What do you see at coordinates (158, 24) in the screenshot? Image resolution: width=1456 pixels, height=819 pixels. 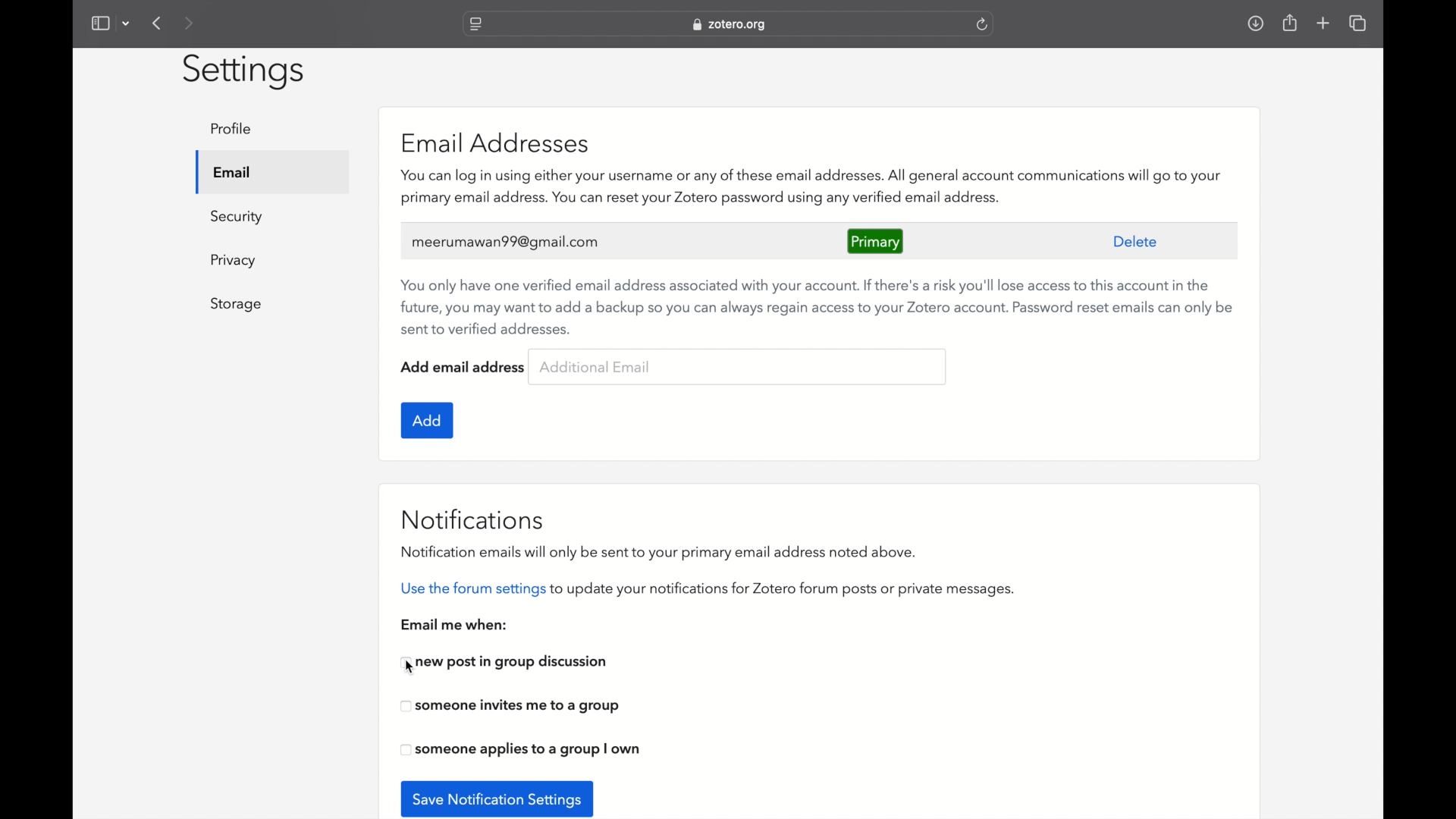 I see `previous` at bounding box center [158, 24].